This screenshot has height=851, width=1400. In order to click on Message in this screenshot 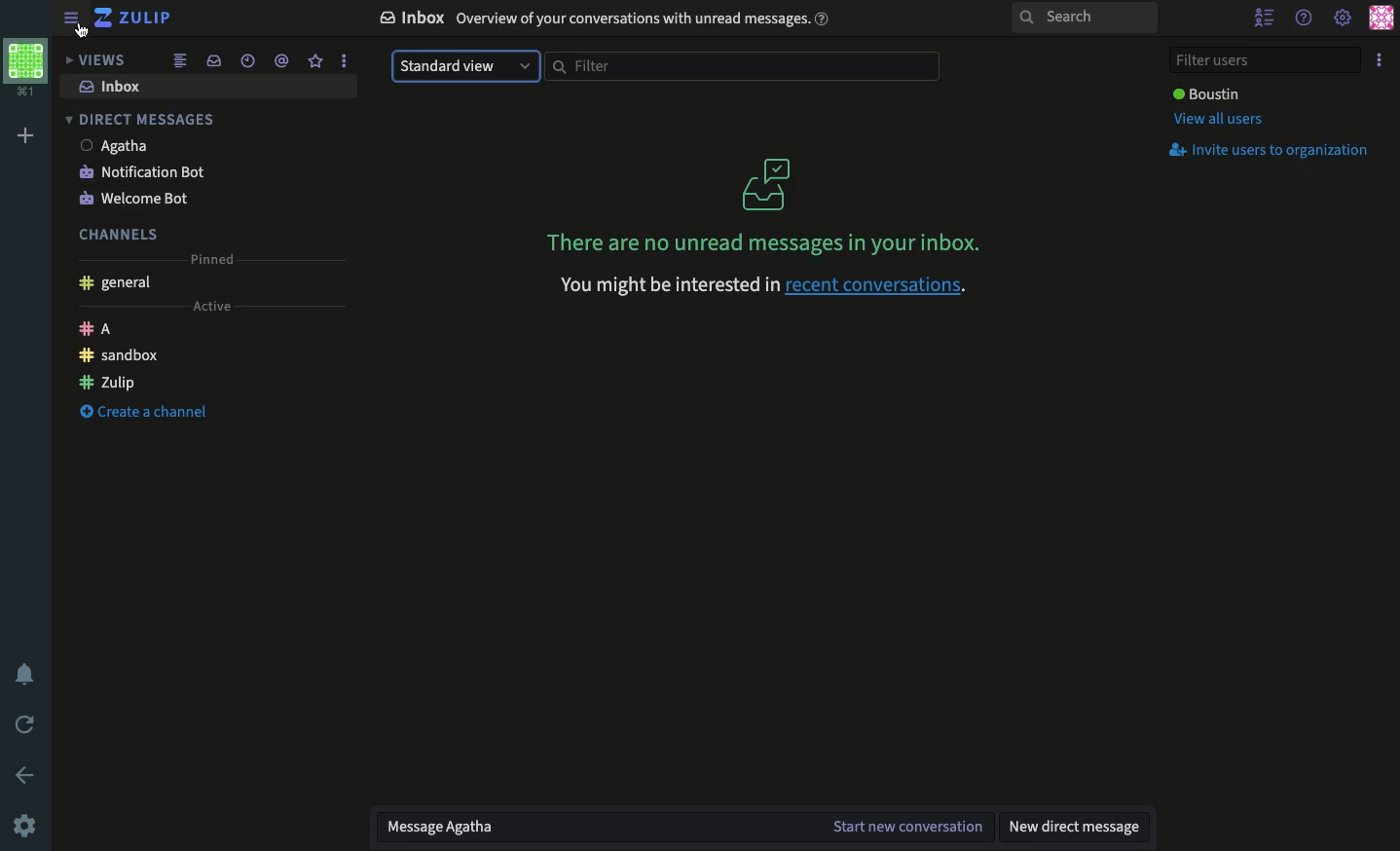, I will do `click(682, 828)`.